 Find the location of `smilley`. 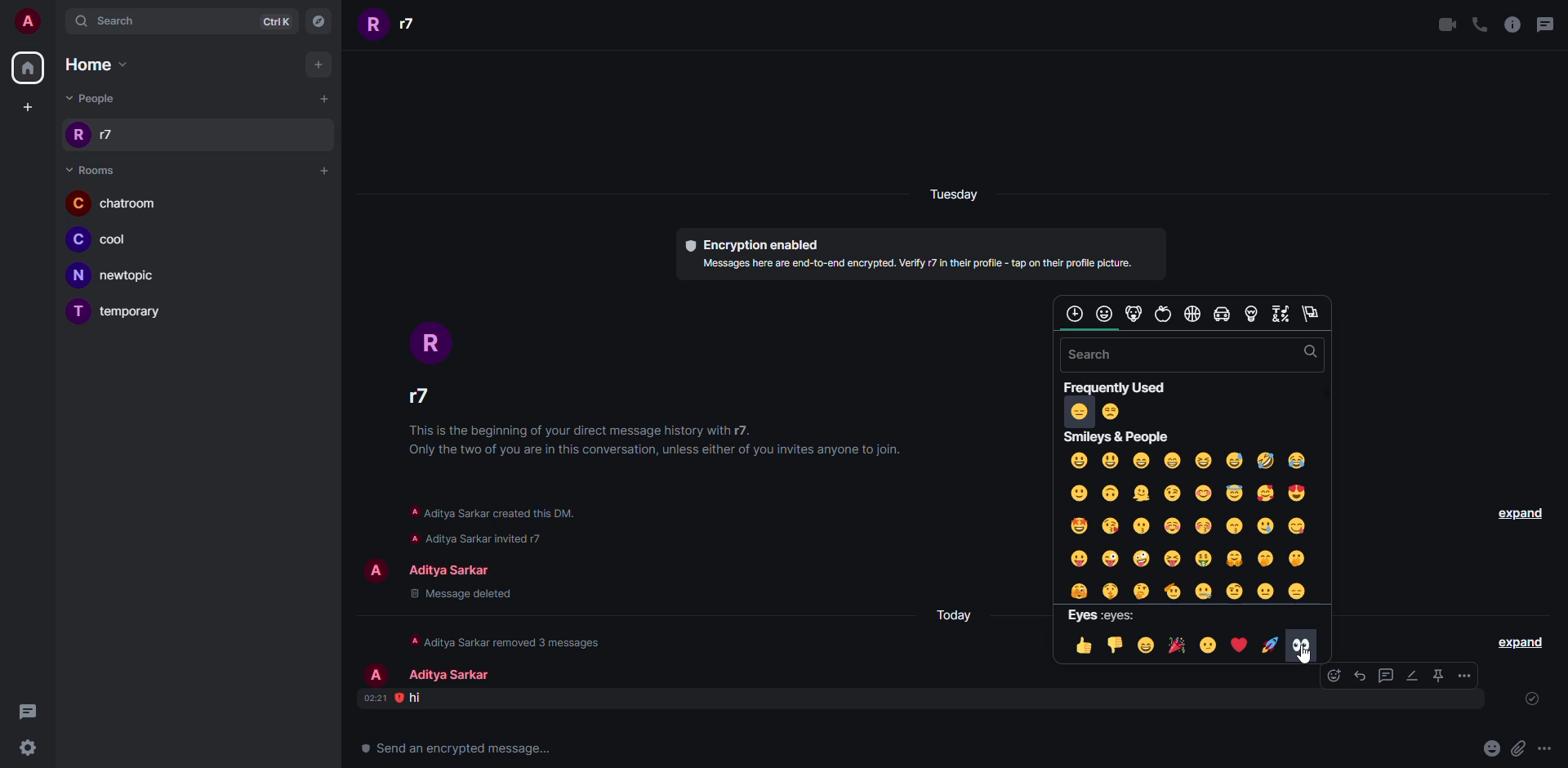

smilley is located at coordinates (1118, 437).